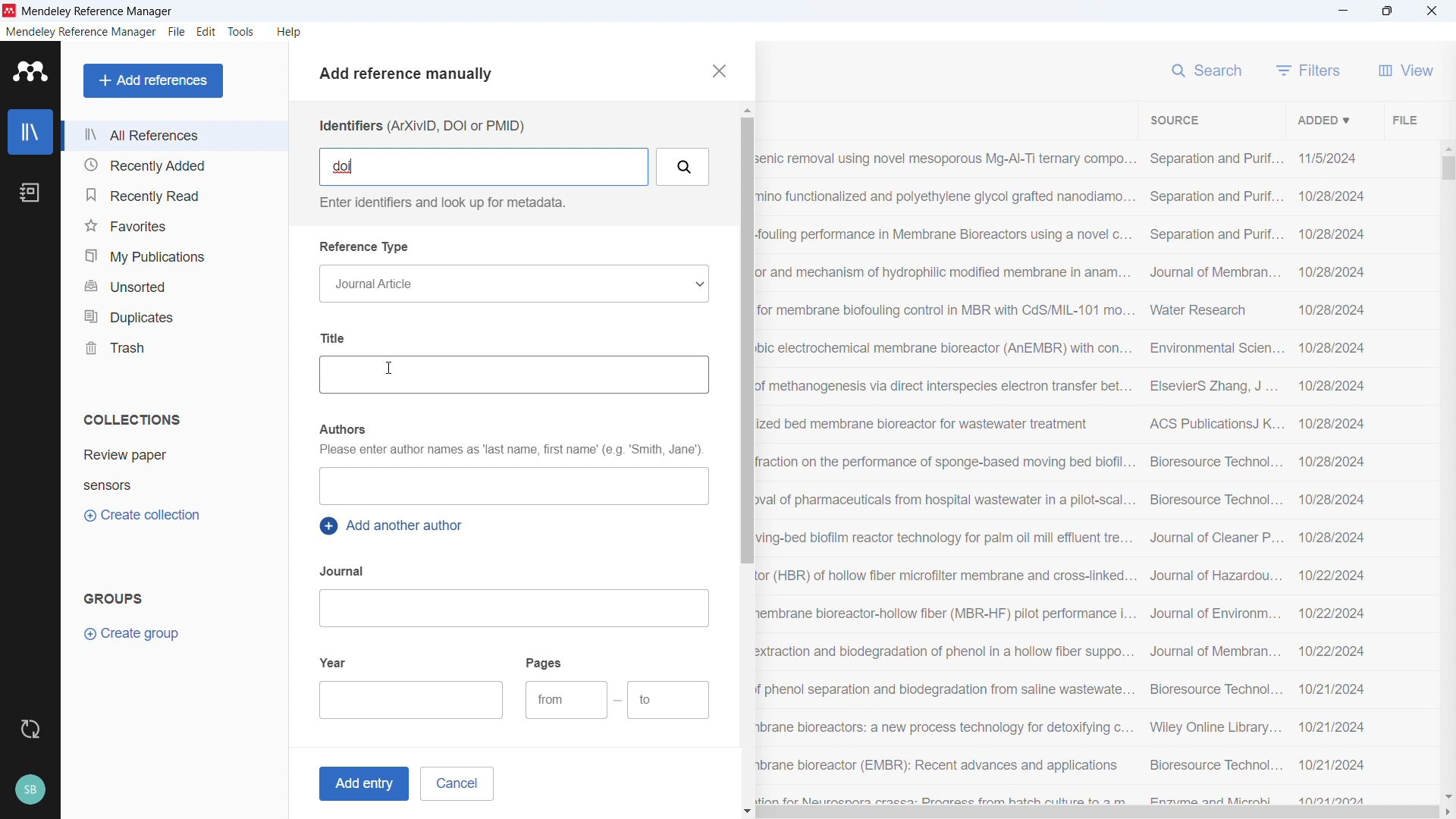 Image resolution: width=1456 pixels, height=819 pixels. Describe the element at coordinates (394, 526) in the screenshot. I see `Add another author ` at that location.